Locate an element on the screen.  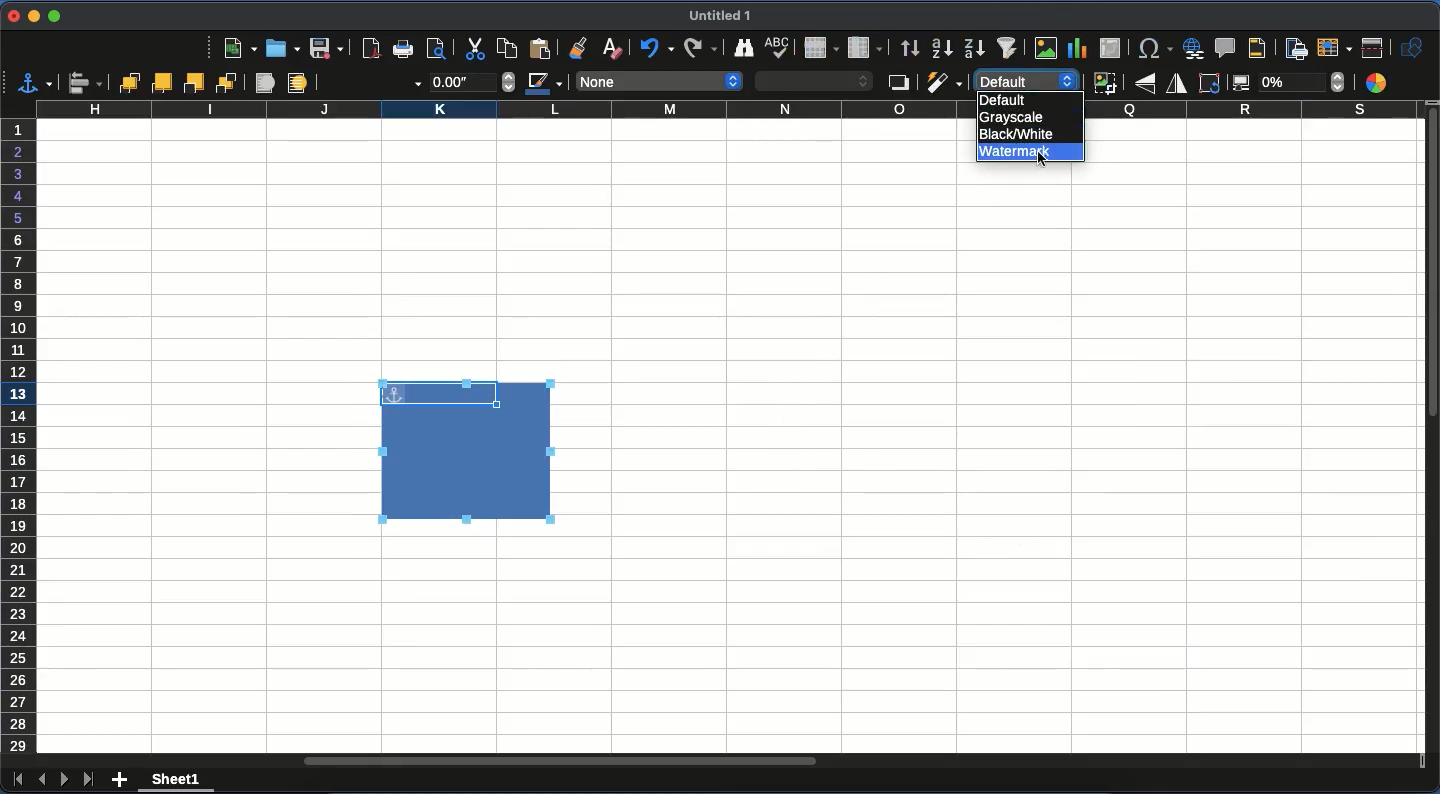
align objects is located at coordinates (85, 84).